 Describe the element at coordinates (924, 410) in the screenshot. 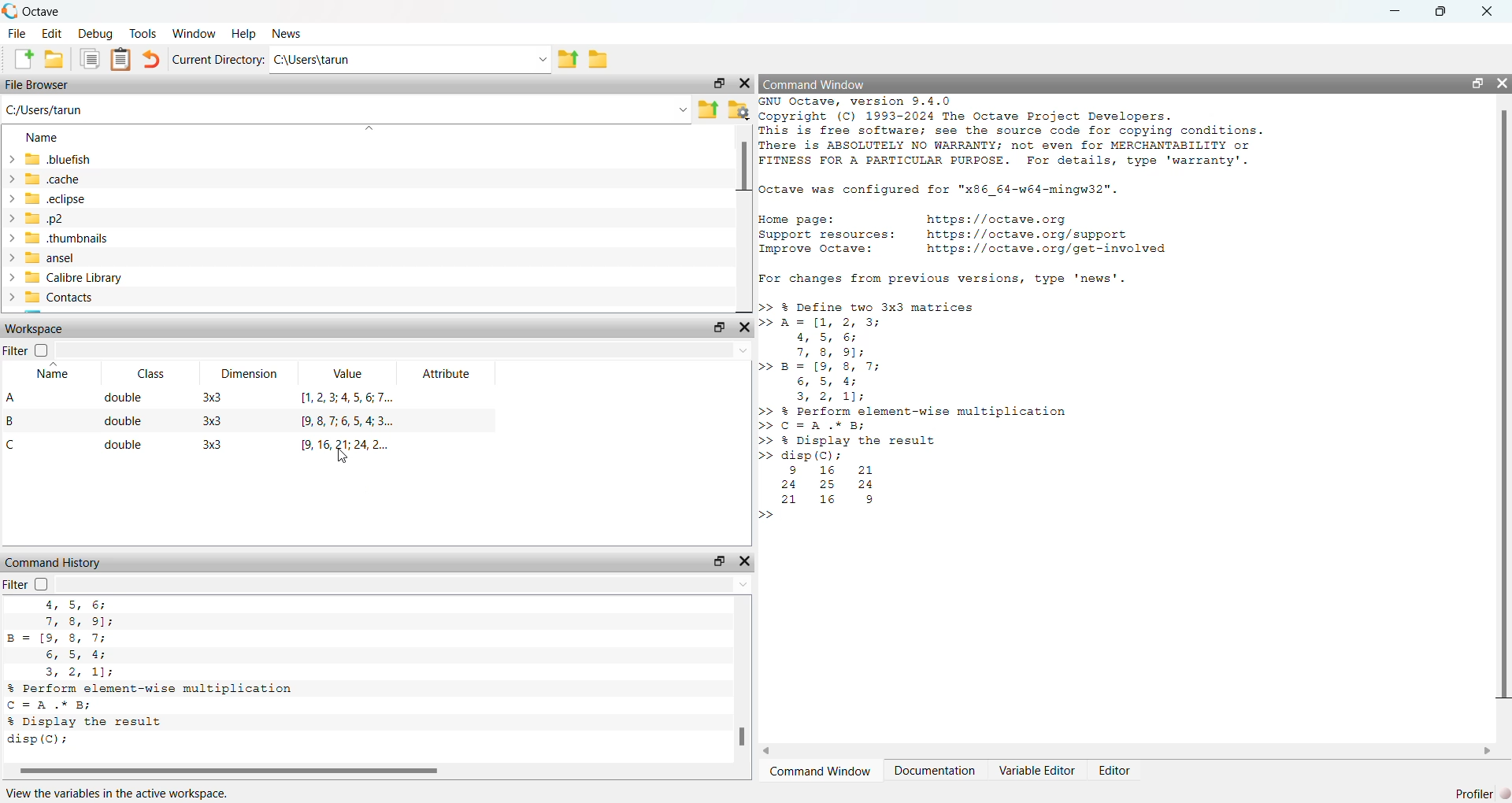

I see `>> % Define two 3x3 matrices
>>a=1(1, 2, 3;
4,5, 6
7, 8, 91;
>> 8 =1(9, 8 7;
6 5, 4;
3, 2, 11;
>> % Perform element-wise multiplication
>> C =A .*B;
>> % Display the result
>> disp(C);
5 16 21
24 25 24
21 16 9` at that location.